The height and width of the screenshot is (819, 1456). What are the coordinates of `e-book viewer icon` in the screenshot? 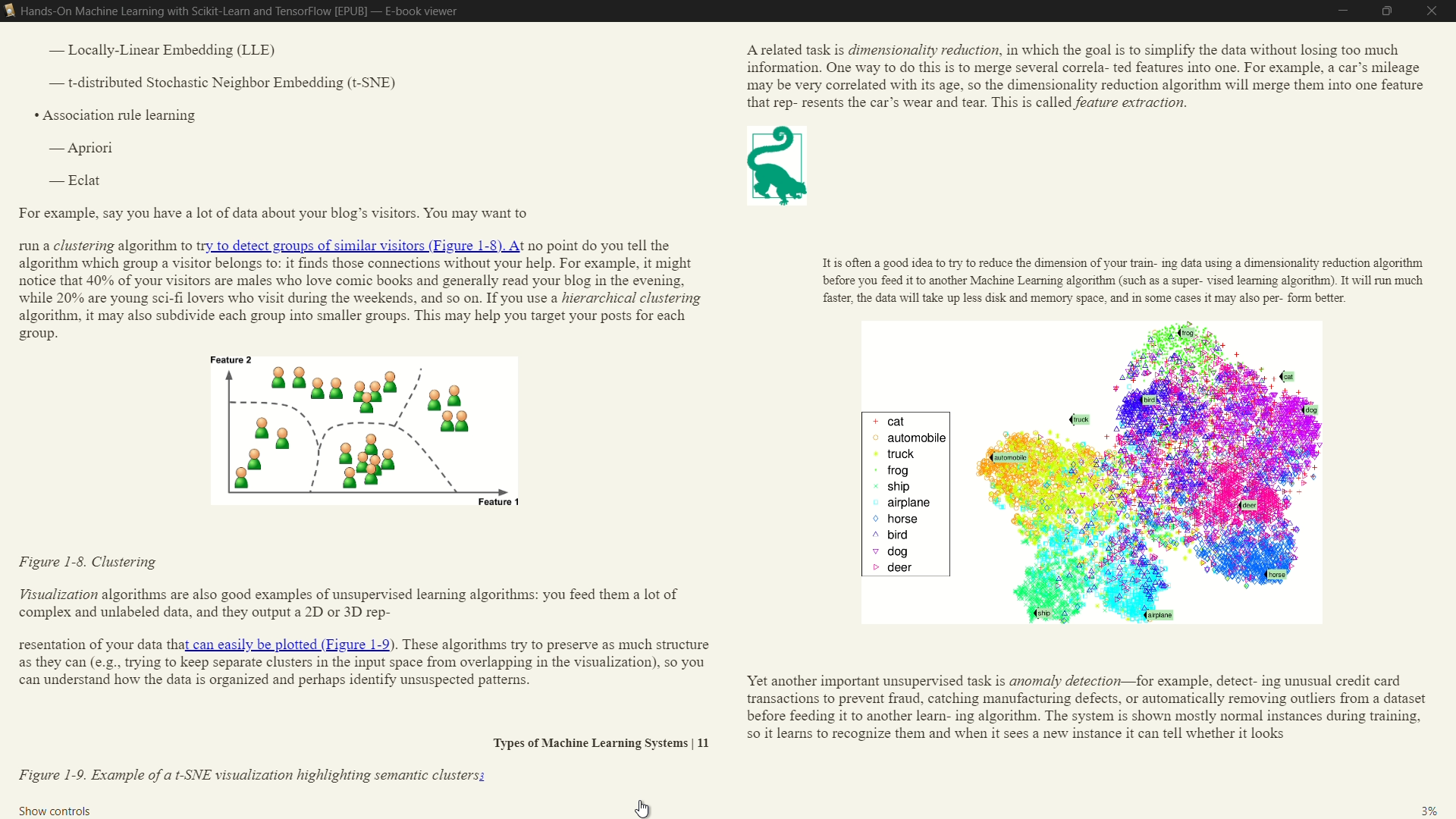 It's located at (11, 14).